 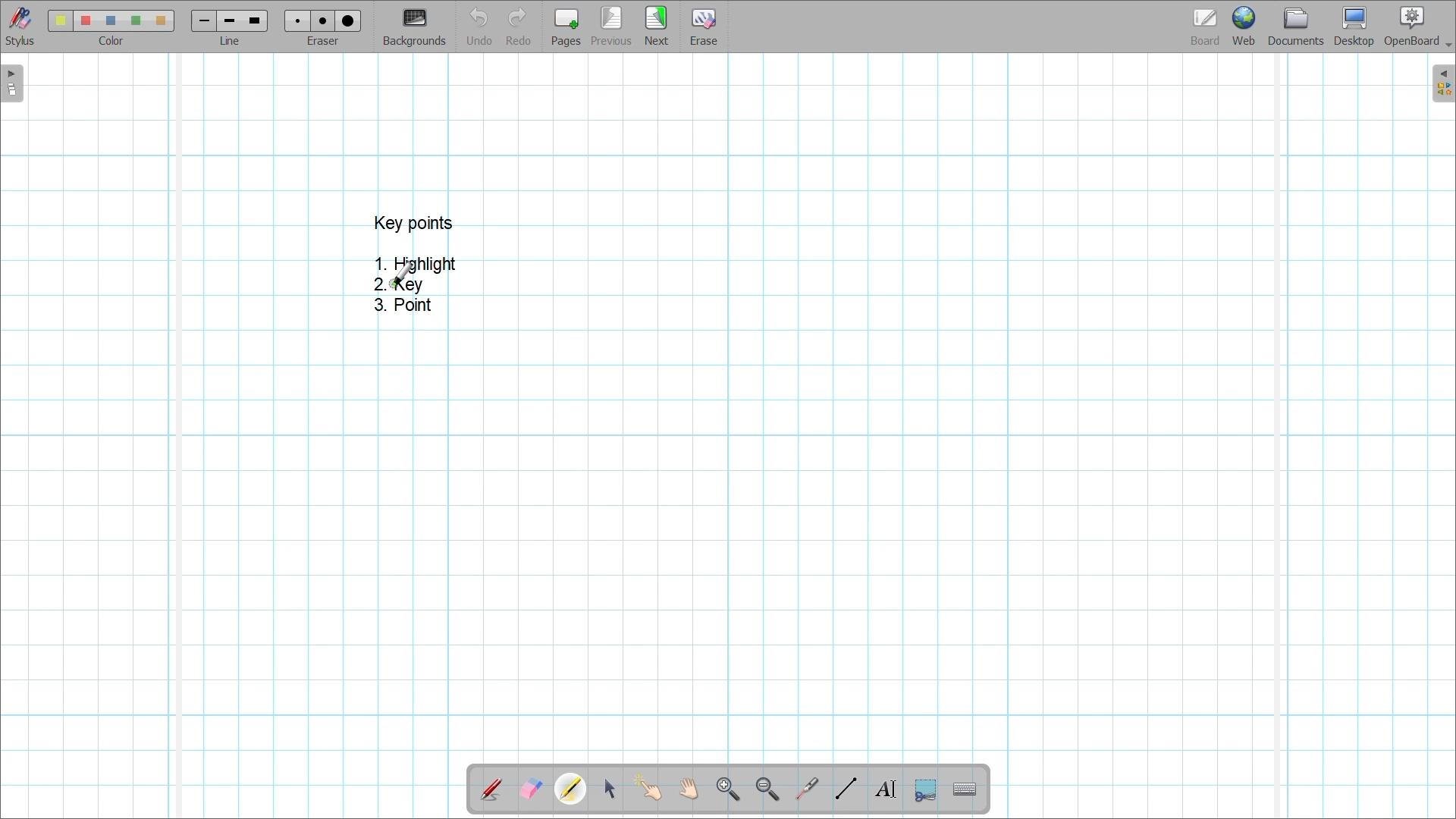 What do you see at coordinates (416, 262) in the screenshot?
I see `1. Highlight` at bounding box center [416, 262].